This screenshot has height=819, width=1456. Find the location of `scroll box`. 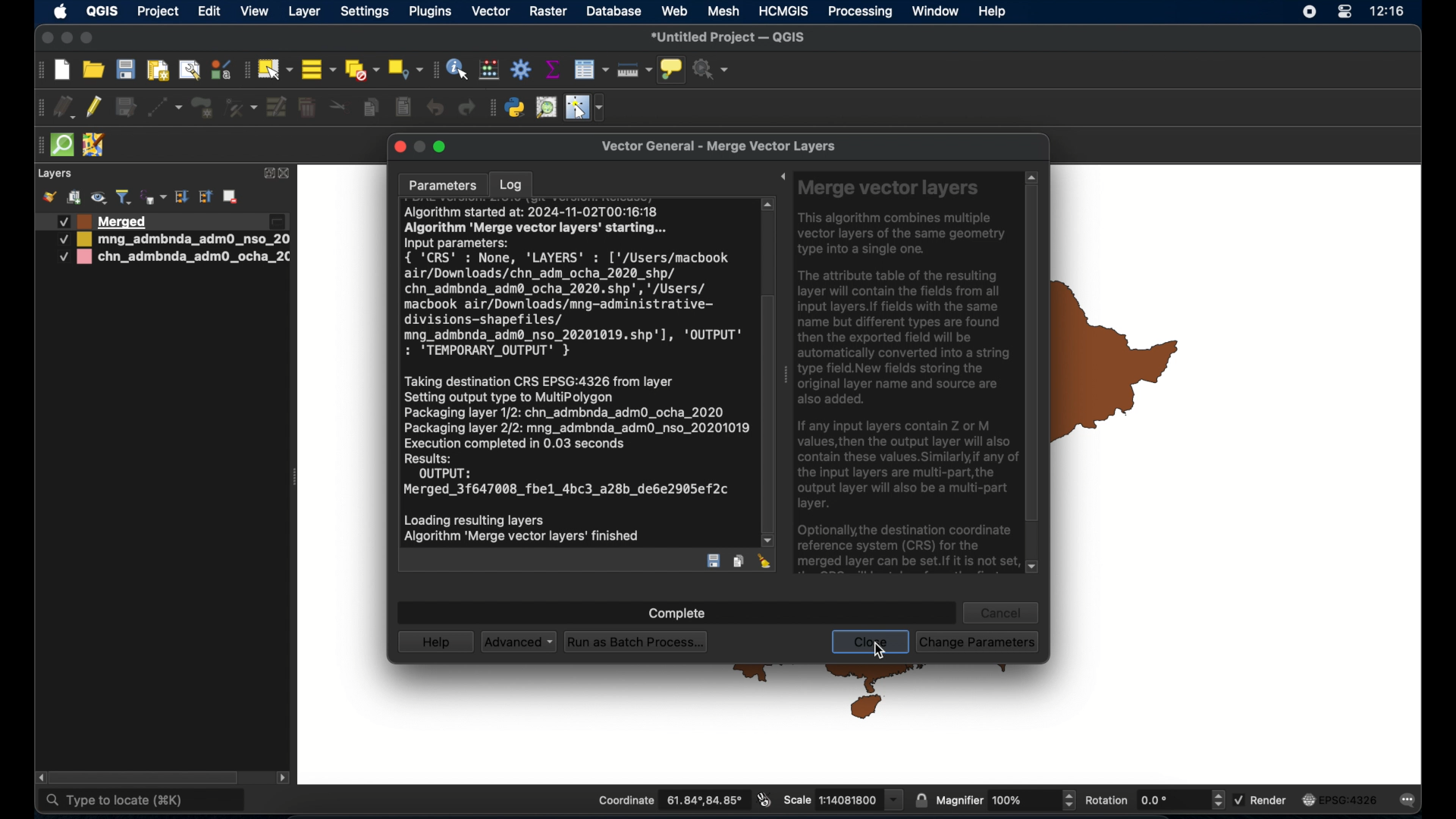

scroll box is located at coordinates (1032, 356).